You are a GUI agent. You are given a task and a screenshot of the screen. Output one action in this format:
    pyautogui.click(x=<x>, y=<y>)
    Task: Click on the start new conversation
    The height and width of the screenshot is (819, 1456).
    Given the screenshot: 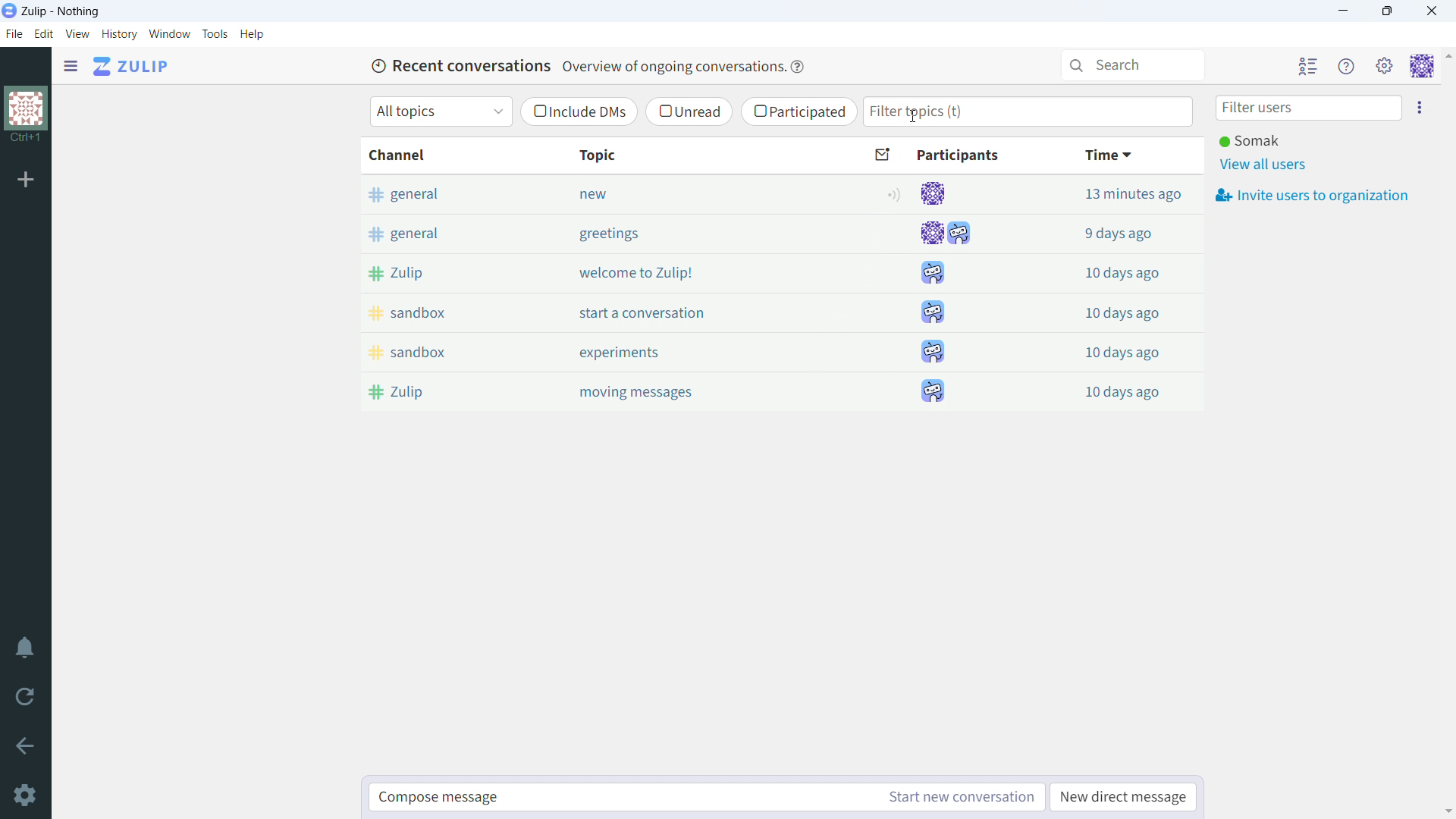 What is the action you would take?
    pyautogui.click(x=958, y=798)
    